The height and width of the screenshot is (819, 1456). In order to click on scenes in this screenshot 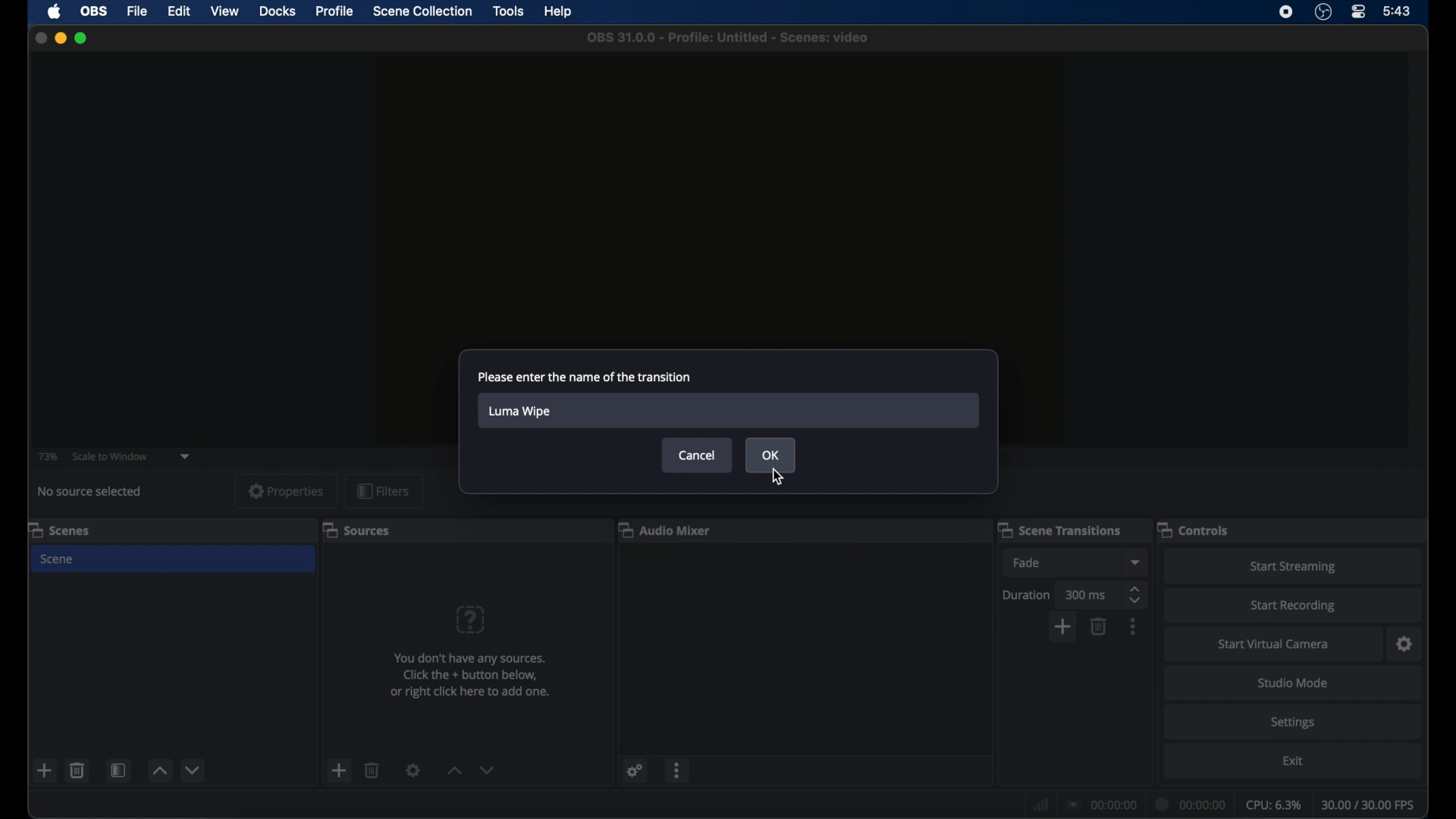, I will do `click(62, 529)`.